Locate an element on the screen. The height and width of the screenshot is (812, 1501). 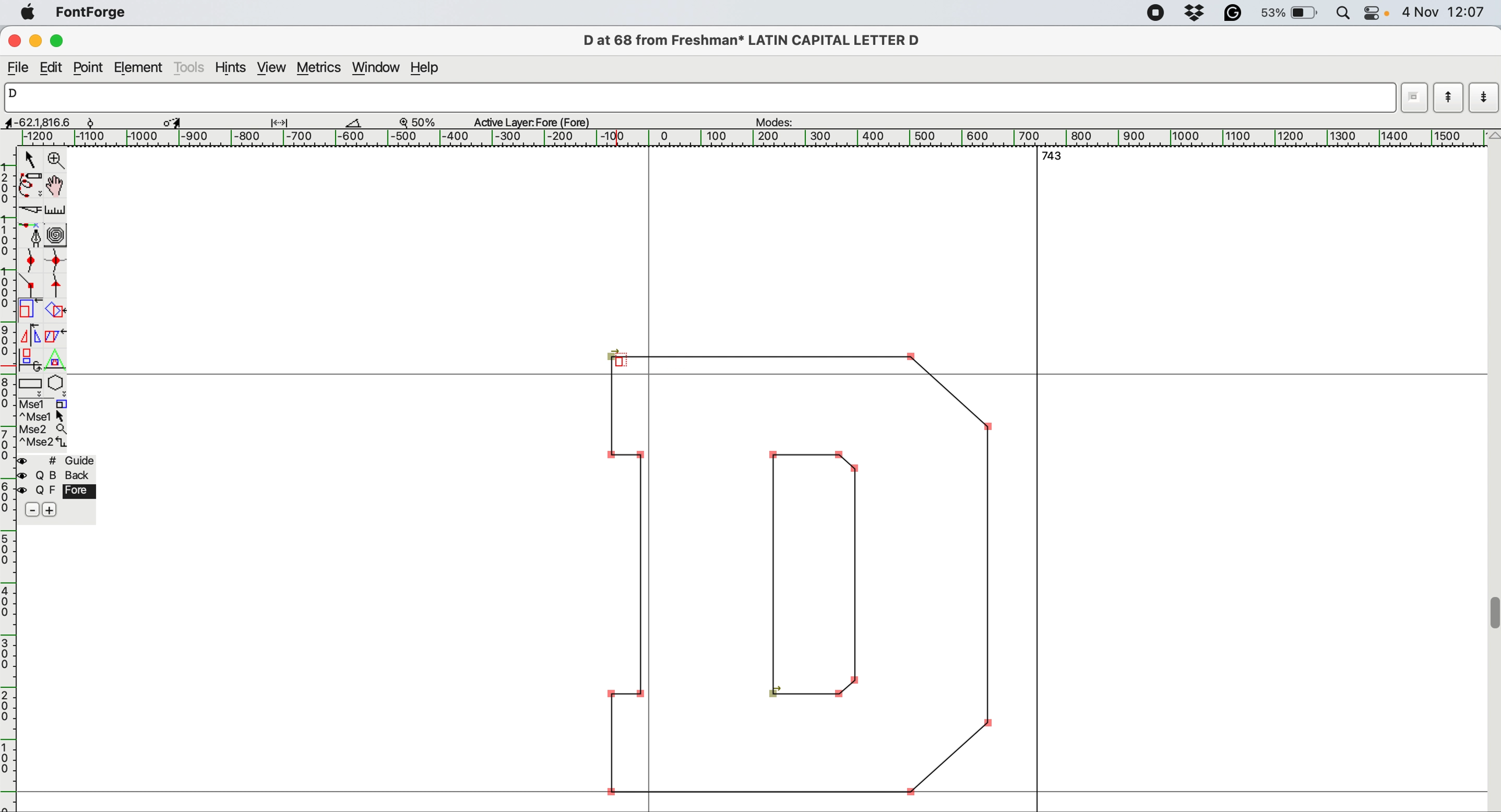
add a curve point horizontally or vertically is located at coordinates (54, 263).